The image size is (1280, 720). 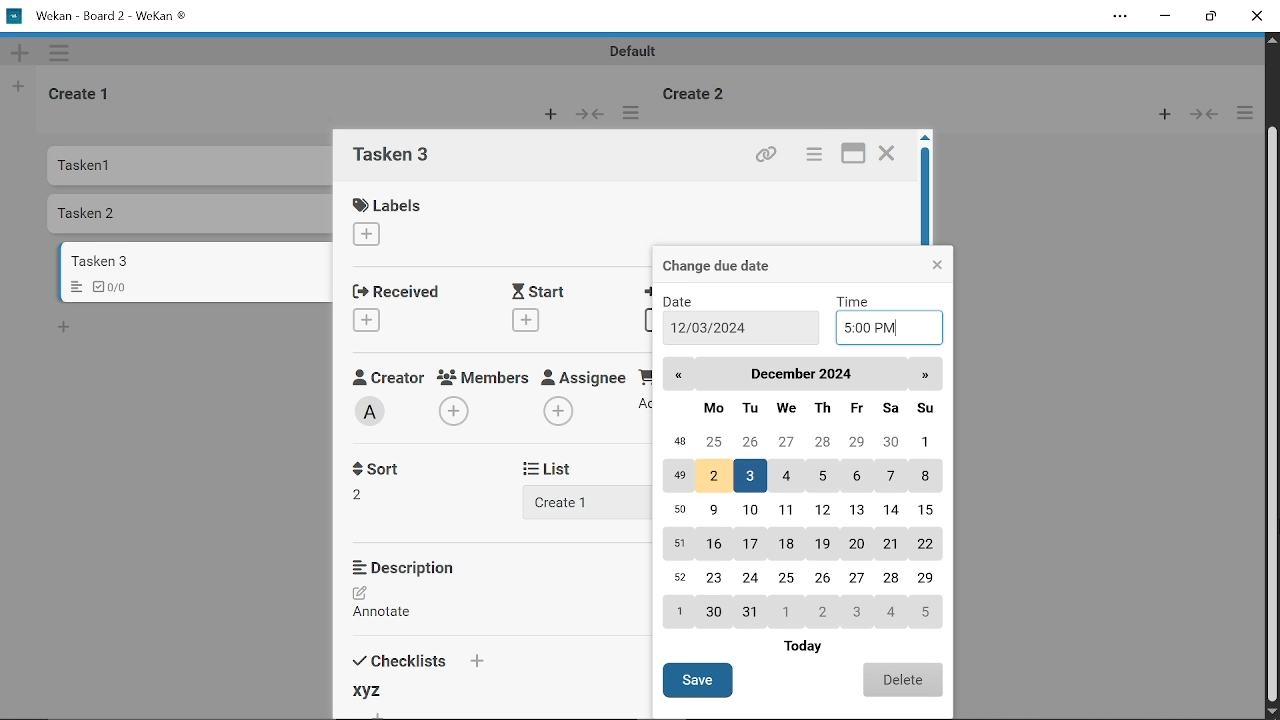 What do you see at coordinates (635, 113) in the screenshot?
I see `More` at bounding box center [635, 113].